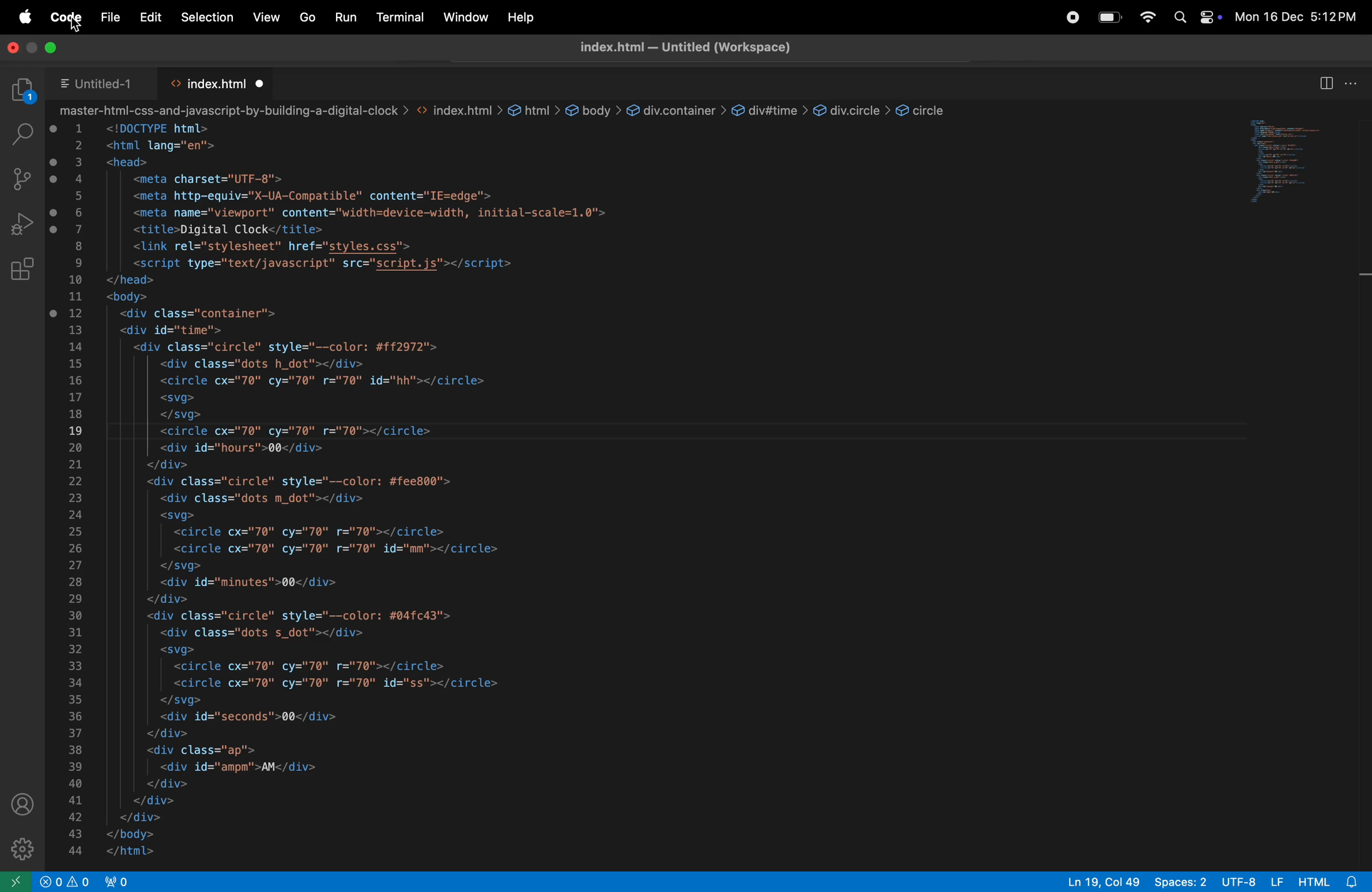 Image resolution: width=1372 pixels, height=892 pixels. Describe the element at coordinates (367, 212) in the screenshot. I see `<meta name="viewport" content="width=device-width, initial-scale=1.0">` at that location.